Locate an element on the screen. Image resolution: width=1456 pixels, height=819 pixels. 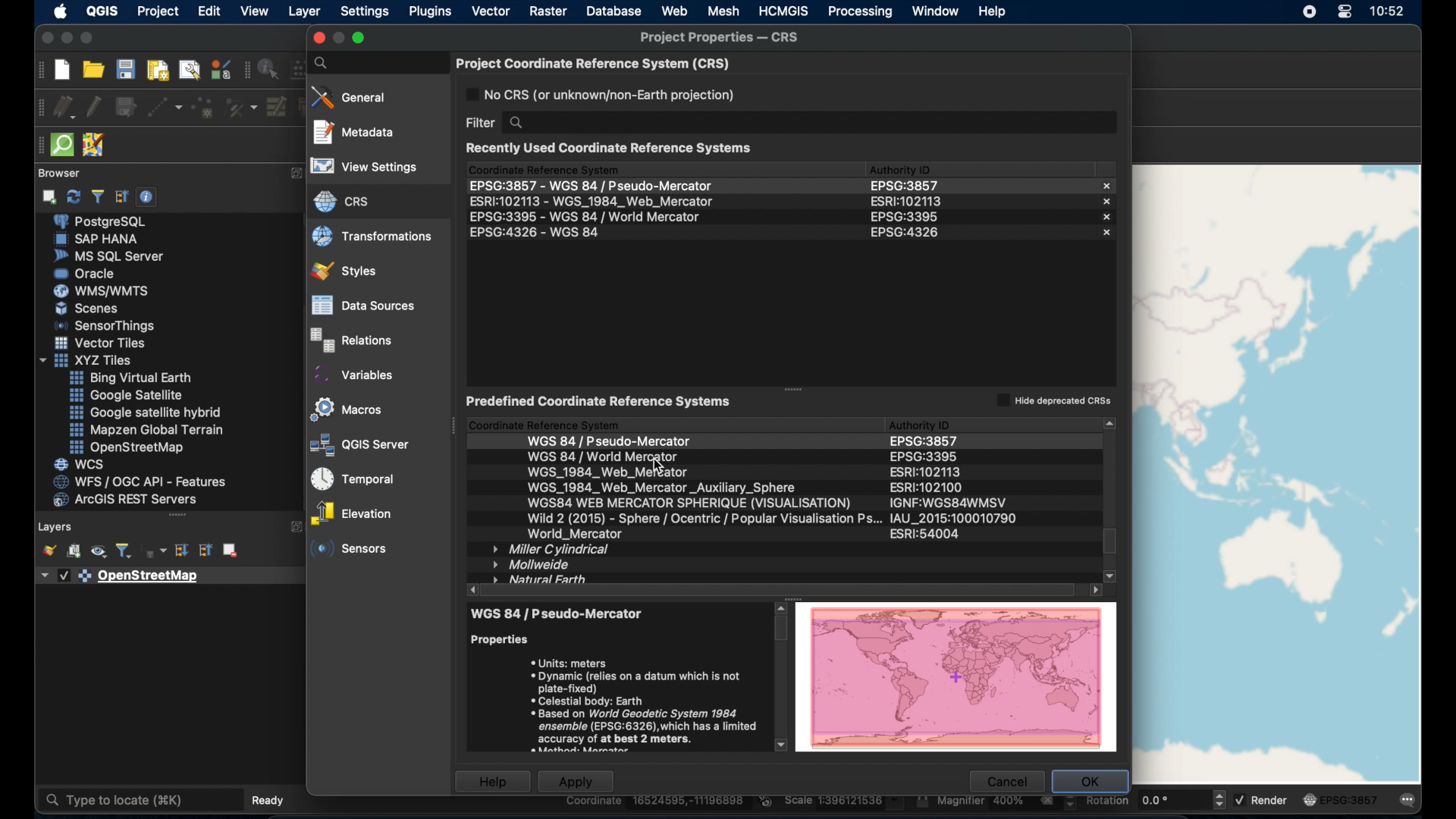
xyzzy tiles is located at coordinates (85, 360).